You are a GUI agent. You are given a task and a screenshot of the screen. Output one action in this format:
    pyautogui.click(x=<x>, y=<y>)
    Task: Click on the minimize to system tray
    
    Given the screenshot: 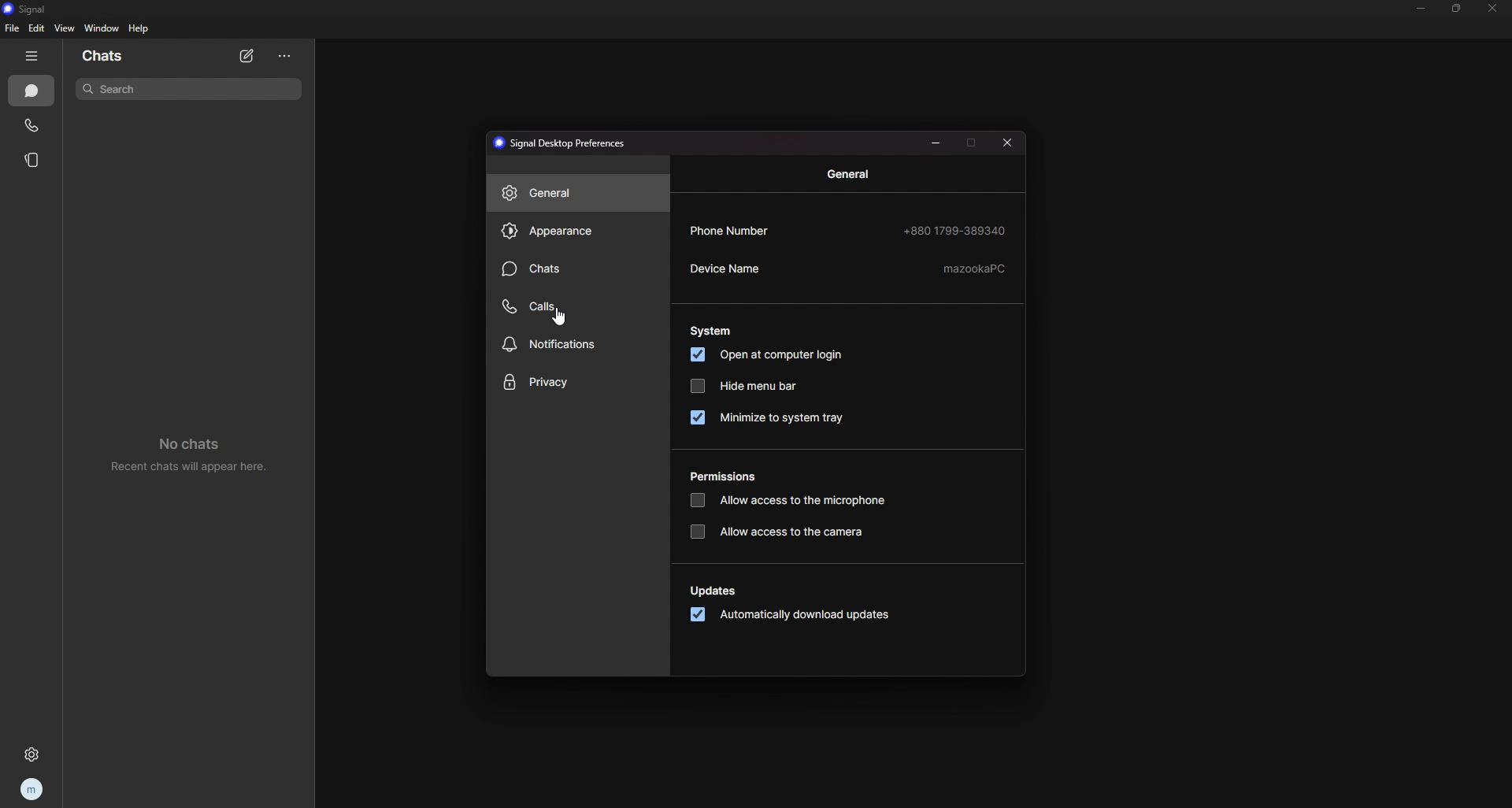 What is the action you would take?
    pyautogui.click(x=766, y=417)
    